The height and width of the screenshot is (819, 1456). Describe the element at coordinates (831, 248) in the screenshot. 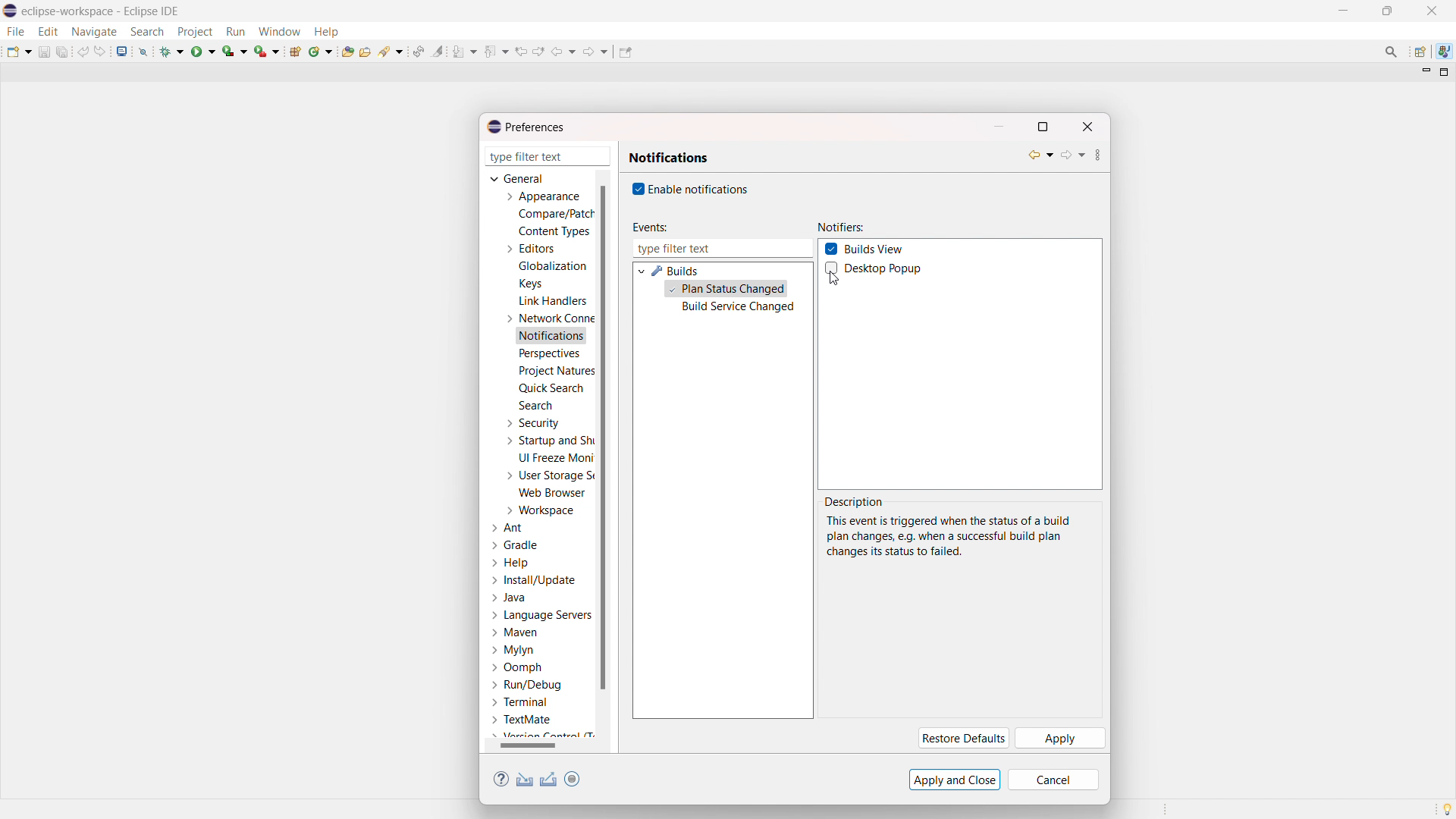

I see `Checkbox` at that location.